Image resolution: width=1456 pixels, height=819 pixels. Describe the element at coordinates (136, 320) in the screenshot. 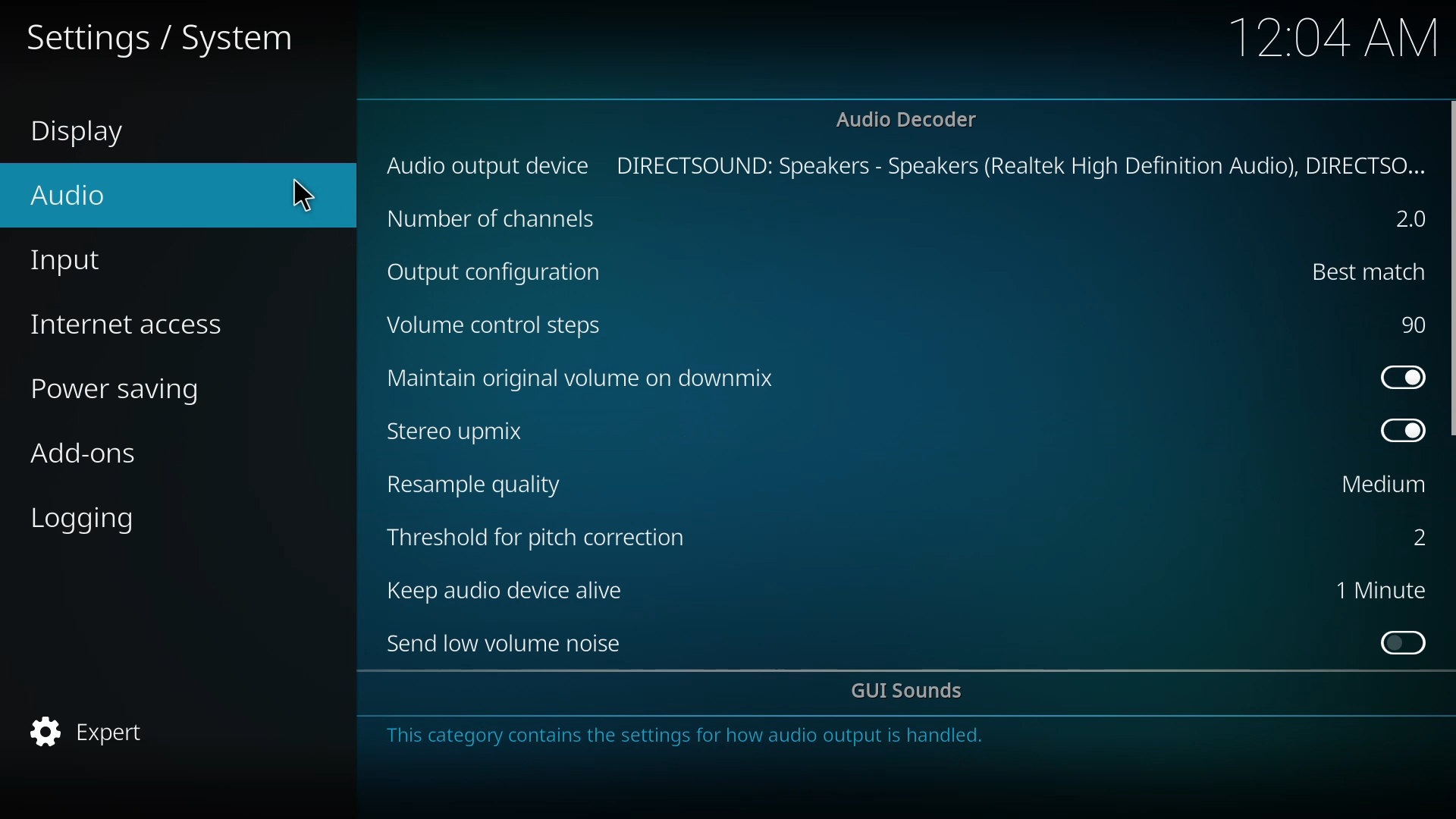

I see `internet access ` at that location.